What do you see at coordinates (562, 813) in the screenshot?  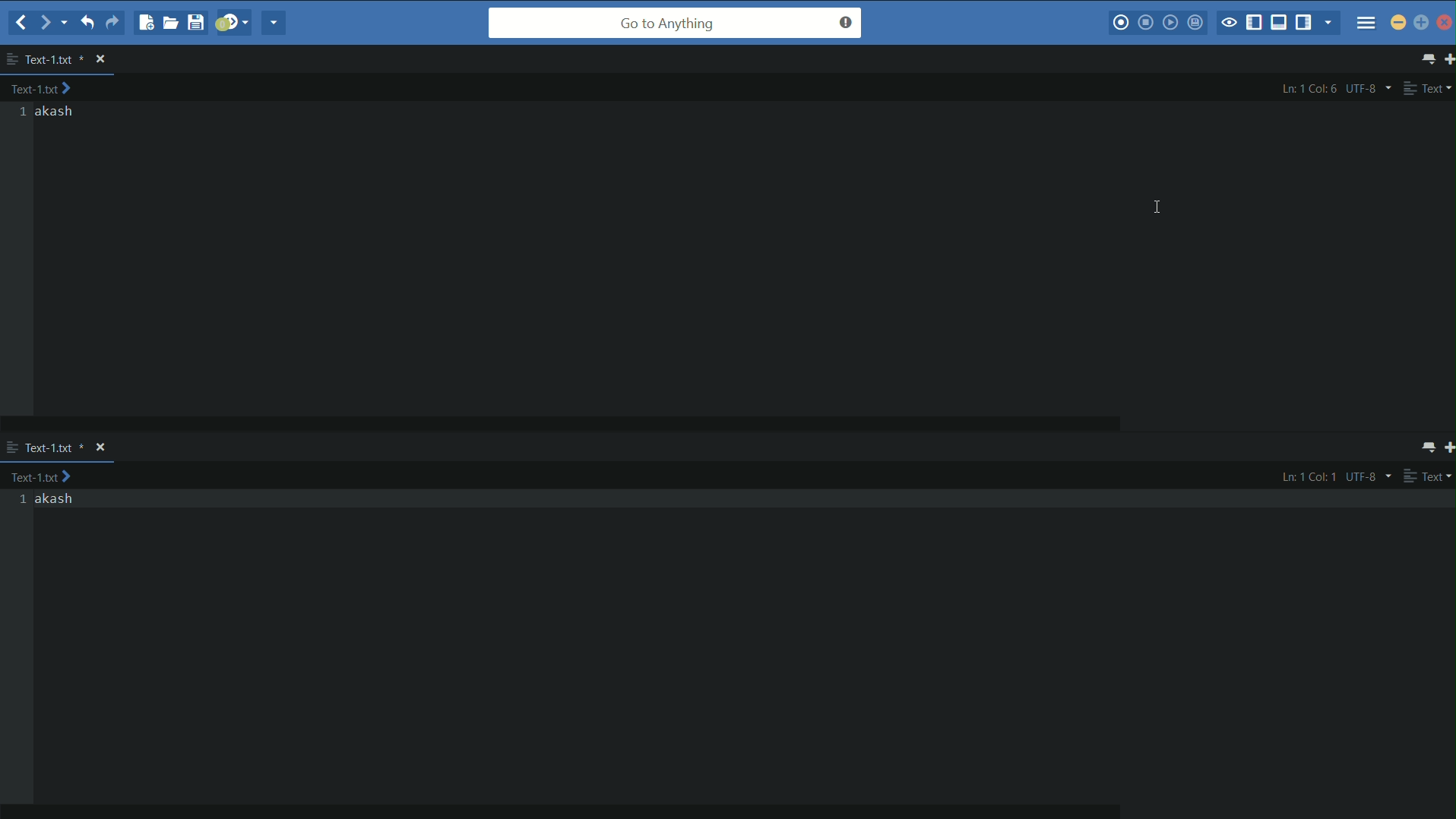 I see `Horizontal scroll bar` at bounding box center [562, 813].